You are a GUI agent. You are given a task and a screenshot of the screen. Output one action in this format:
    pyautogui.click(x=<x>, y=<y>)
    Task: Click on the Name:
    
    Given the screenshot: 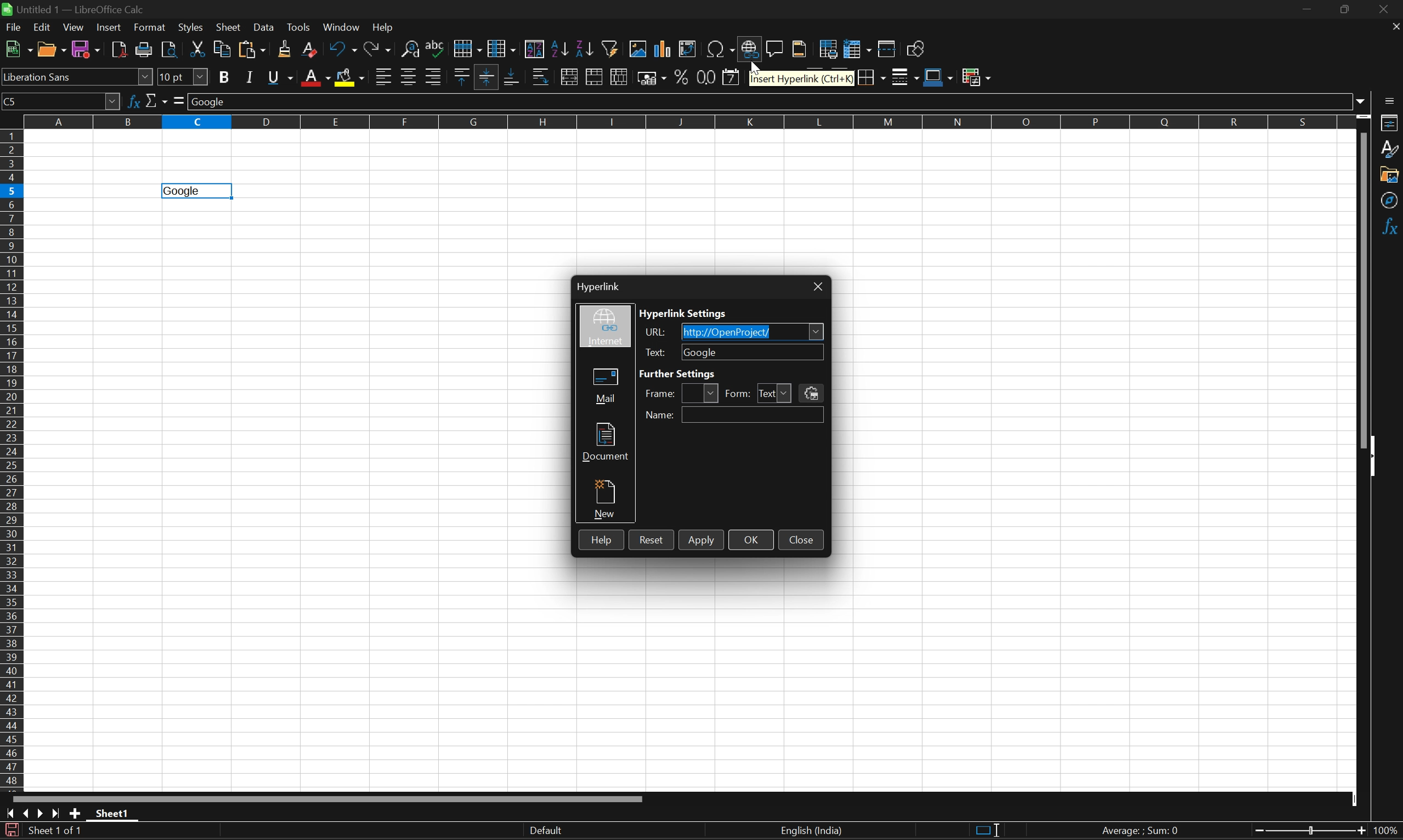 What is the action you would take?
    pyautogui.click(x=664, y=416)
    